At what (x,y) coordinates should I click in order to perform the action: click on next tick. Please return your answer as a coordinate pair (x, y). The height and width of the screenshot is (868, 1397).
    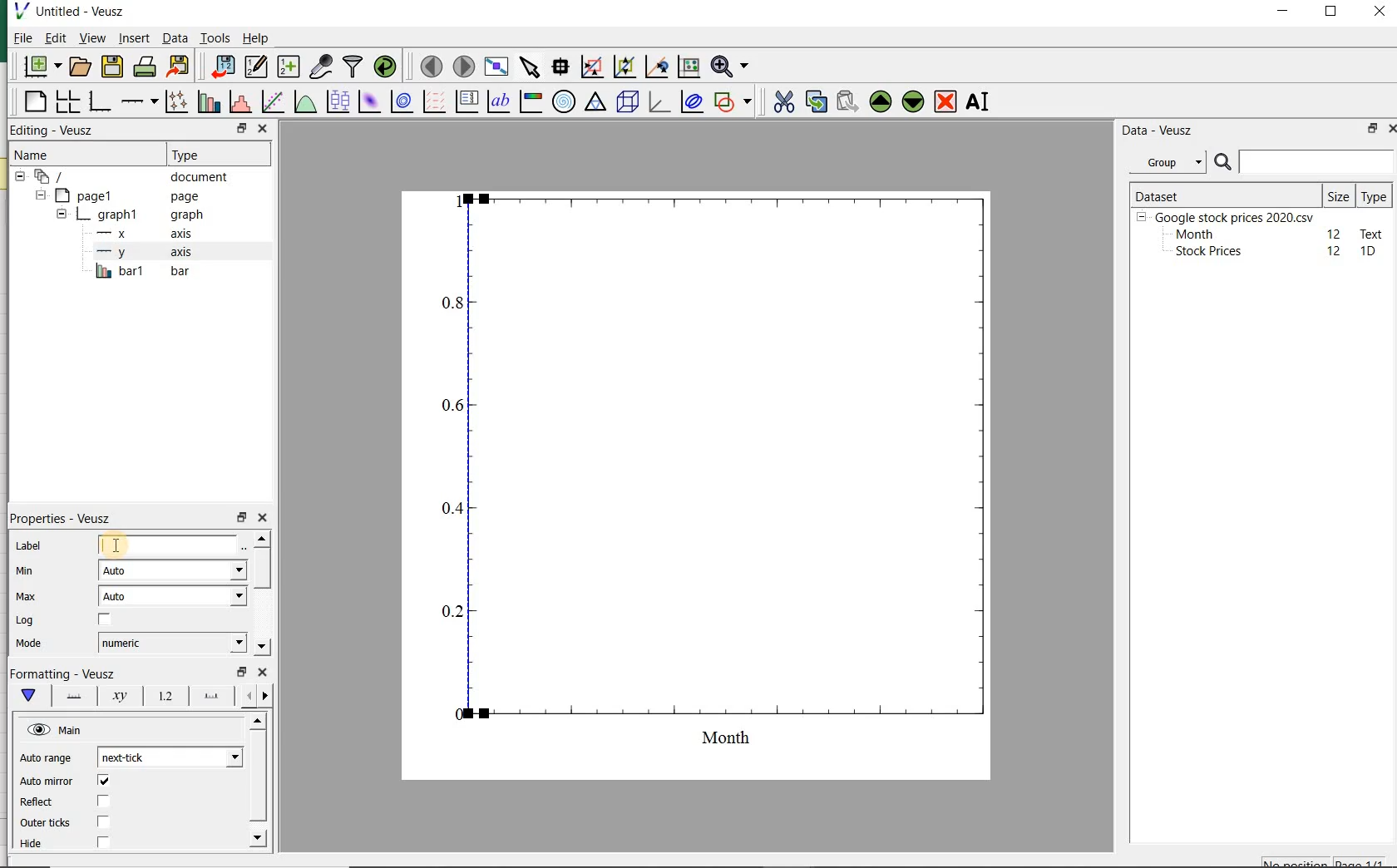
    Looking at the image, I should click on (167, 757).